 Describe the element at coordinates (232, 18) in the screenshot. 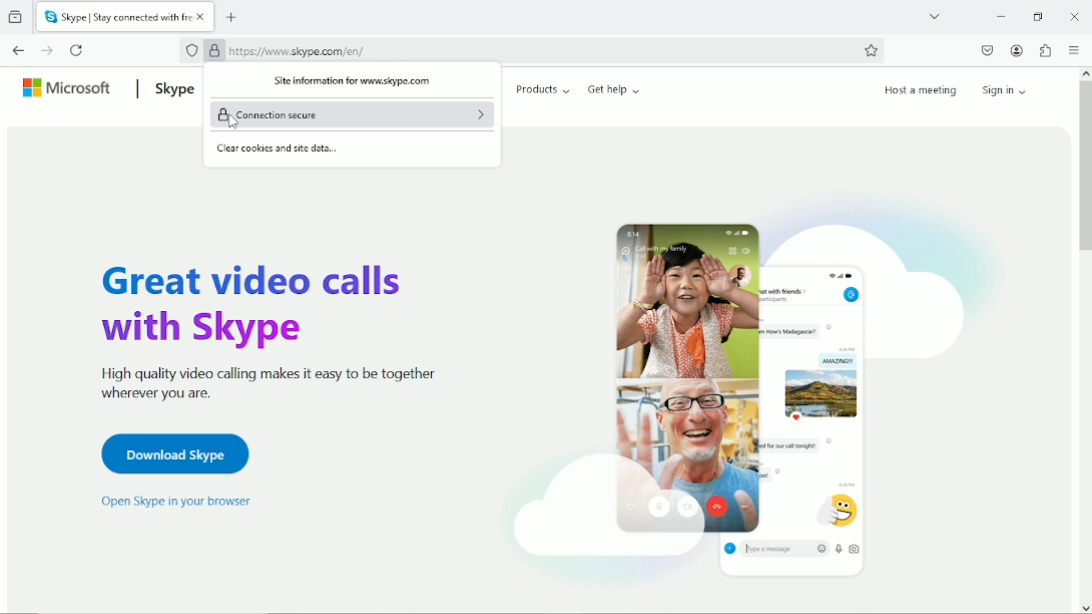

I see `New tab` at that location.